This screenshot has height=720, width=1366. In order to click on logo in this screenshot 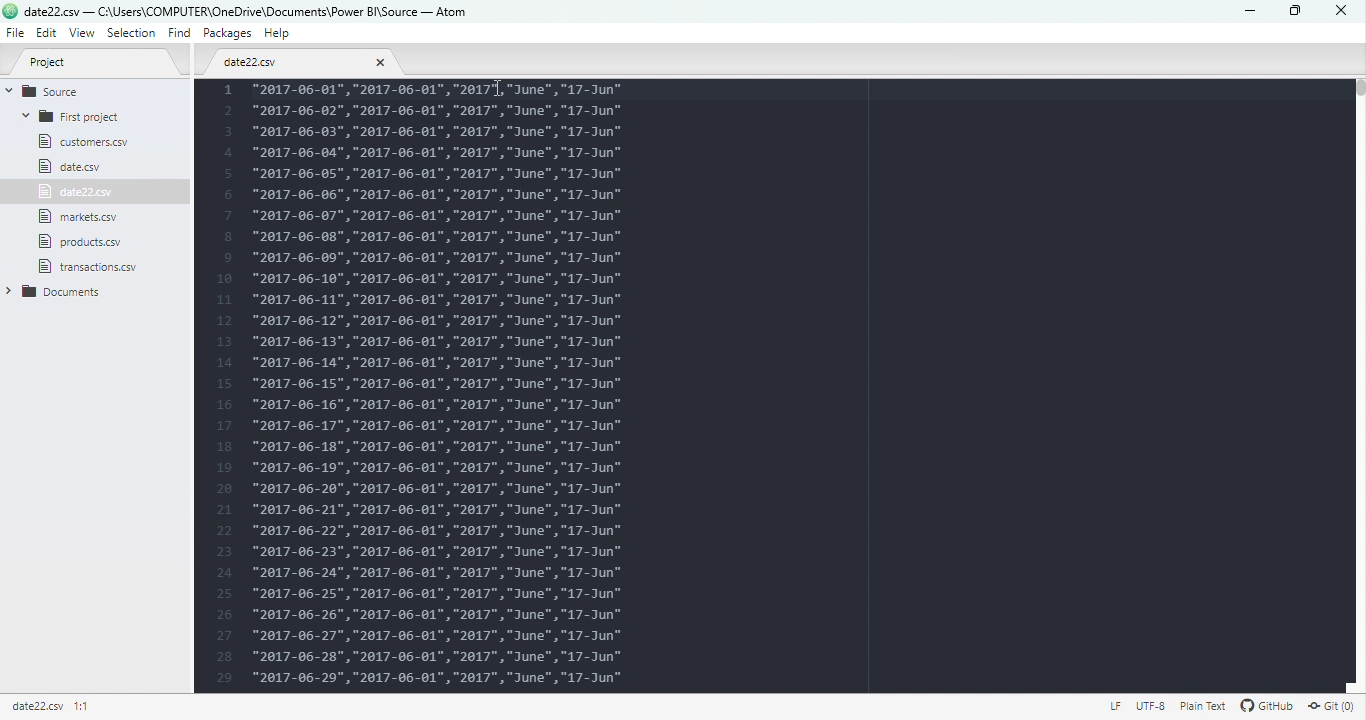, I will do `click(10, 11)`.